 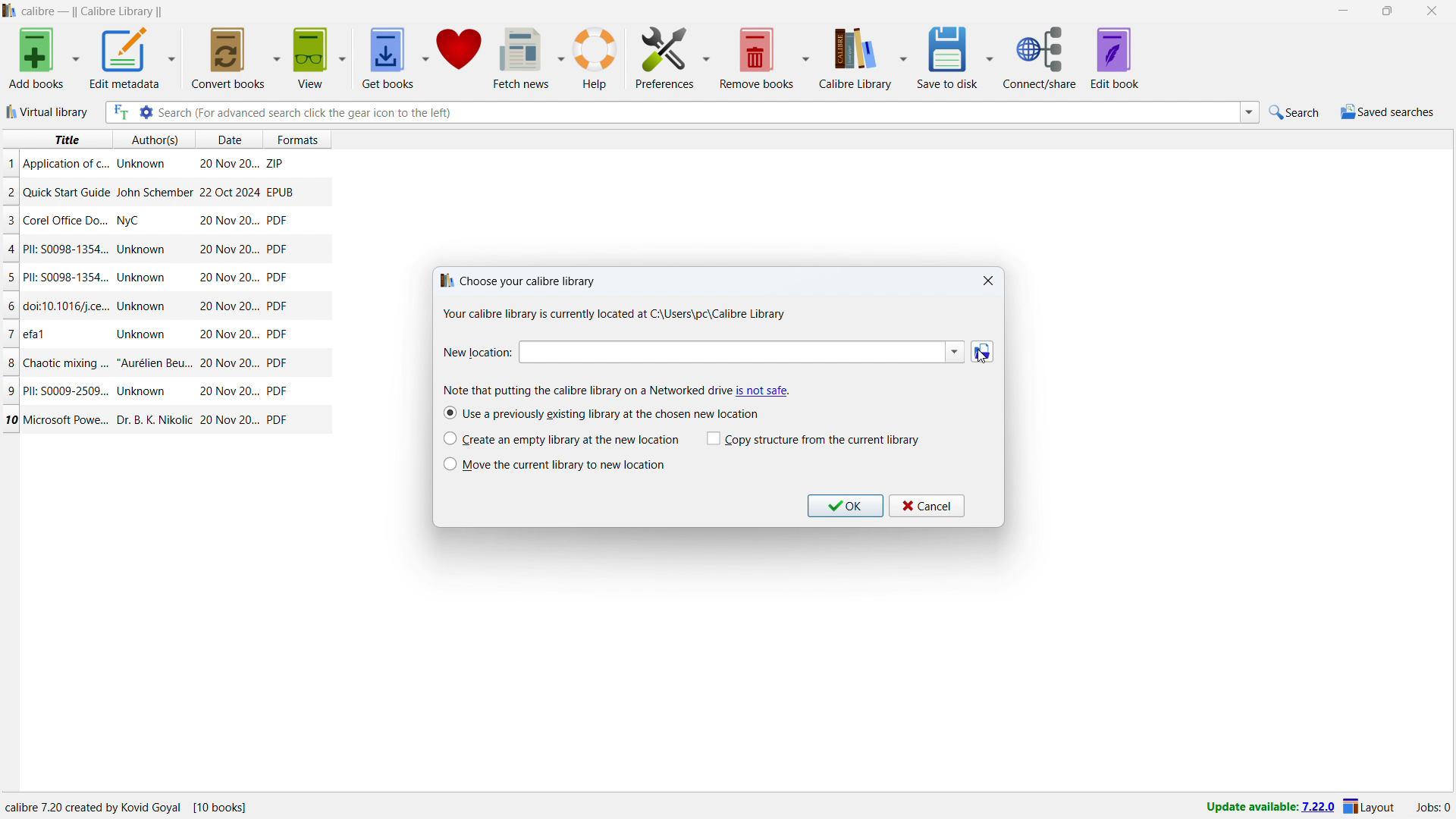 I want to click on 5, so click(x=11, y=278).